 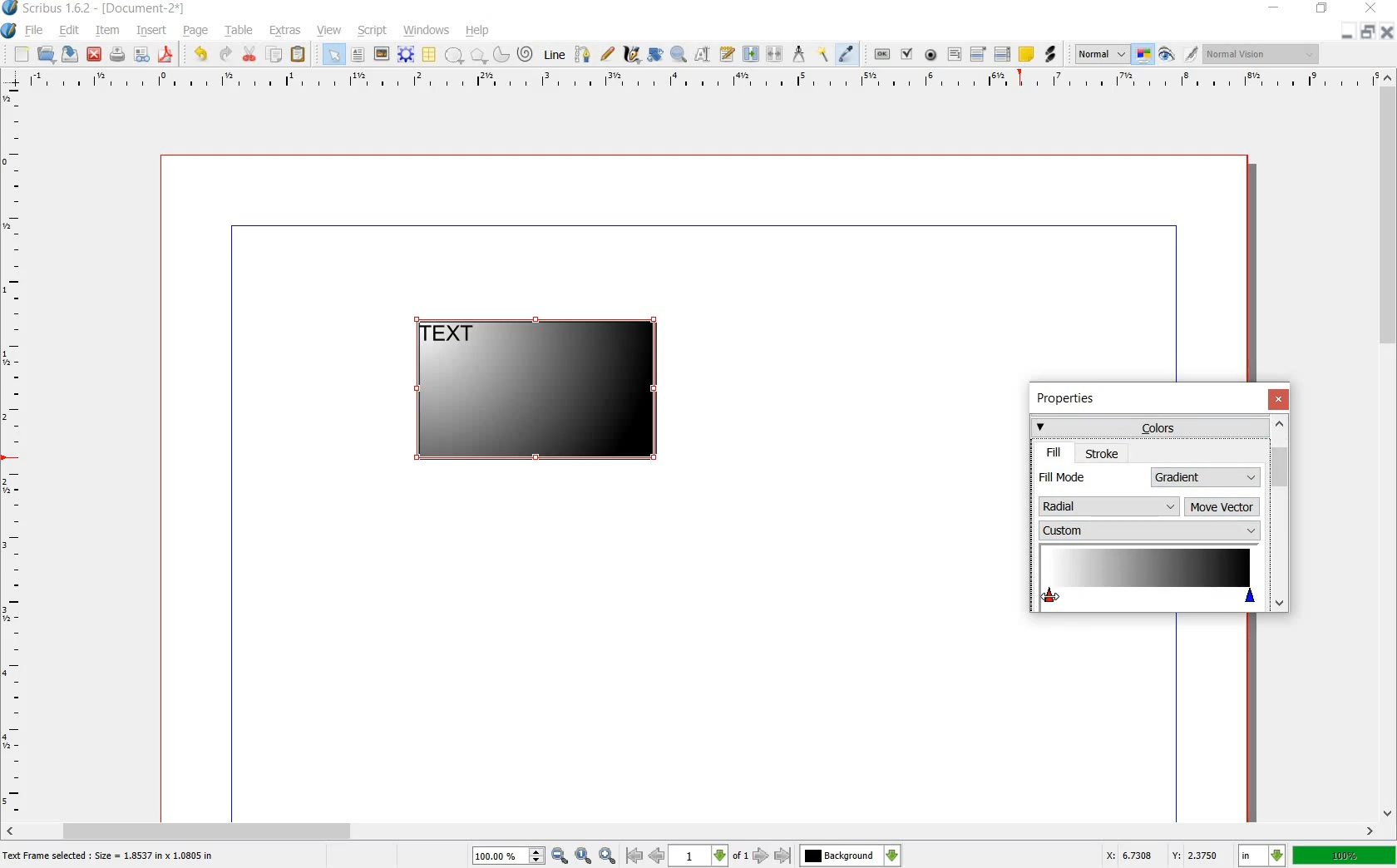 What do you see at coordinates (106, 32) in the screenshot?
I see `item` at bounding box center [106, 32].